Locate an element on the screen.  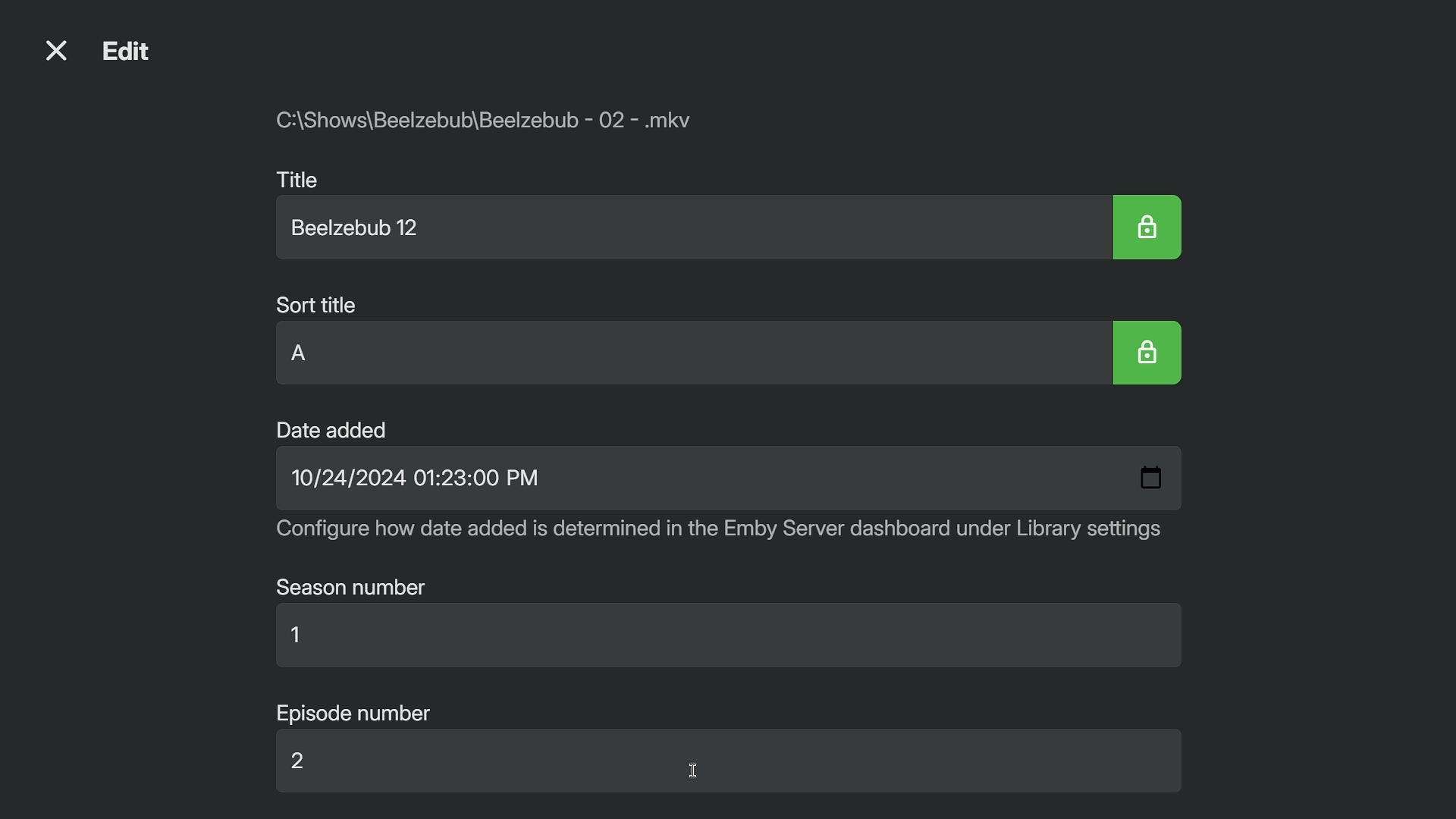
Season number is located at coordinates (353, 587).